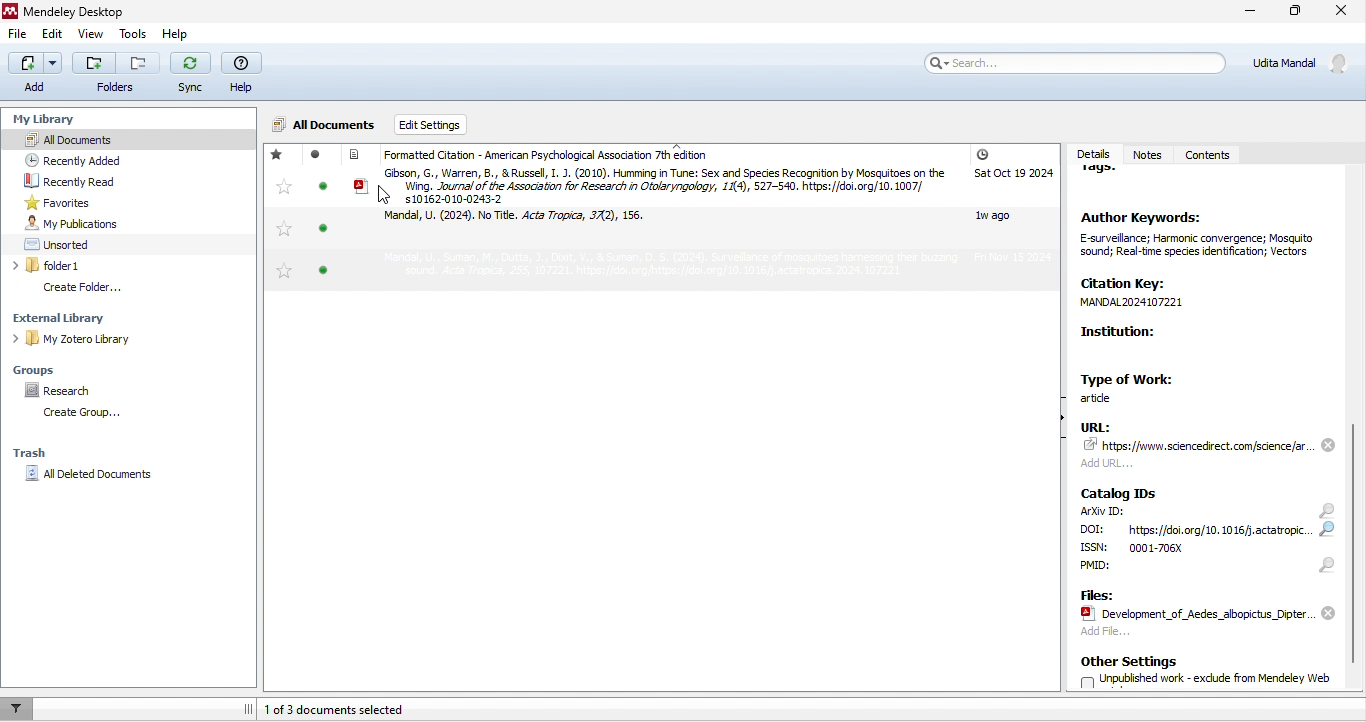 This screenshot has height=722, width=1366. What do you see at coordinates (1147, 345) in the screenshot?
I see `Institution:` at bounding box center [1147, 345].